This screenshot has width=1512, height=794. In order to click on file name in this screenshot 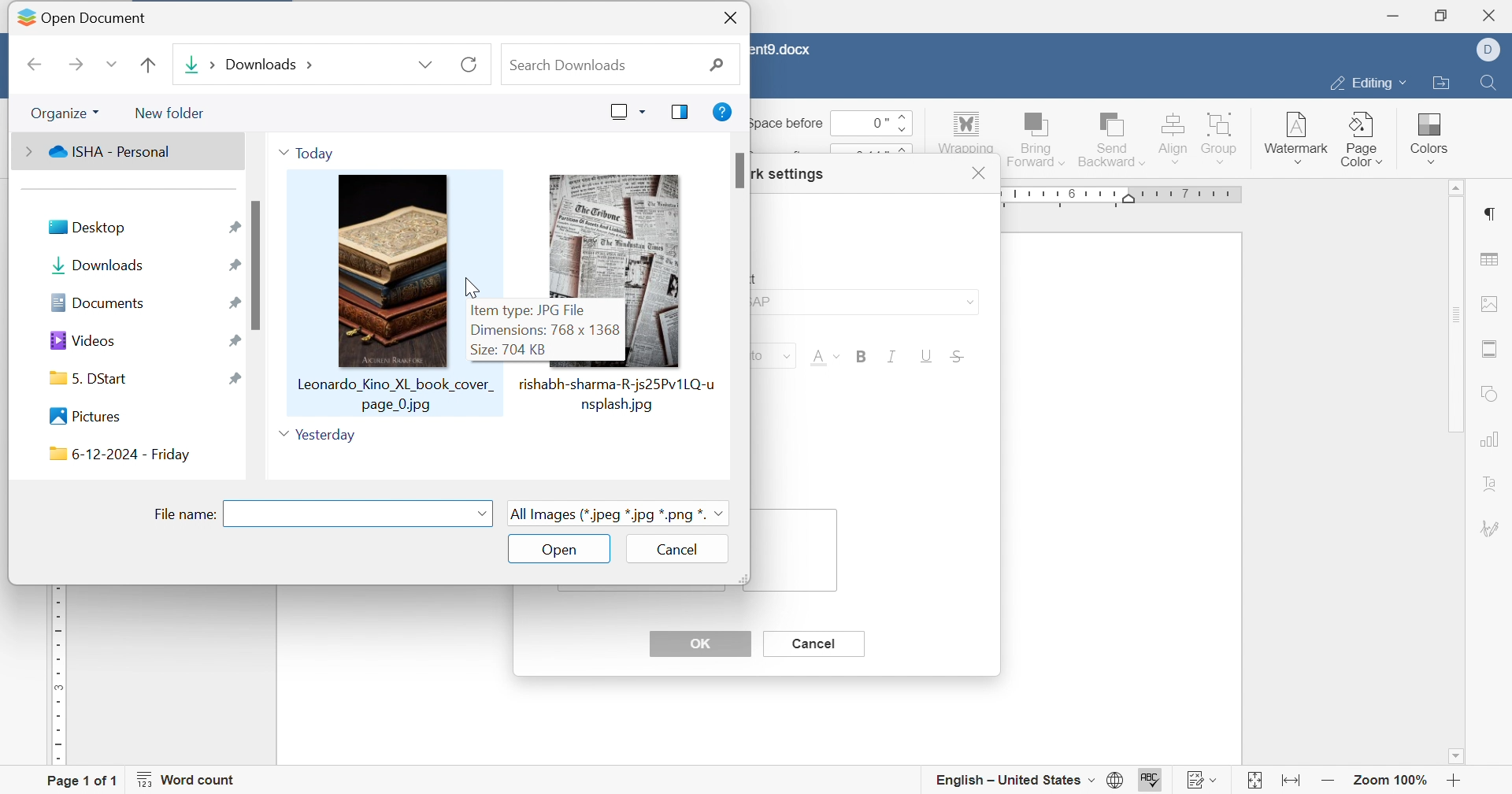, I will do `click(187, 514)`.